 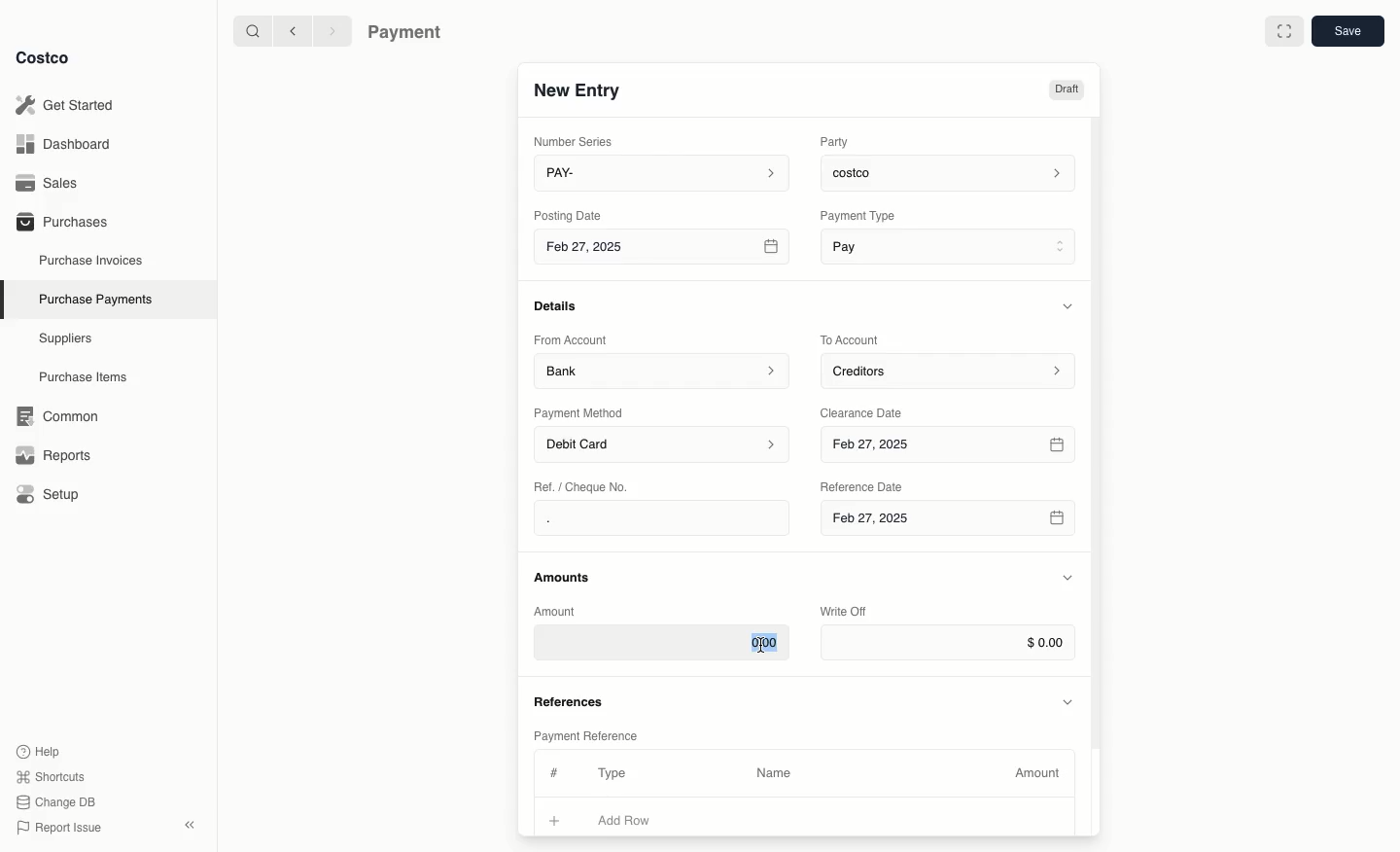 I want to click on Feb 27, 2025, so click(x=947, y=523).